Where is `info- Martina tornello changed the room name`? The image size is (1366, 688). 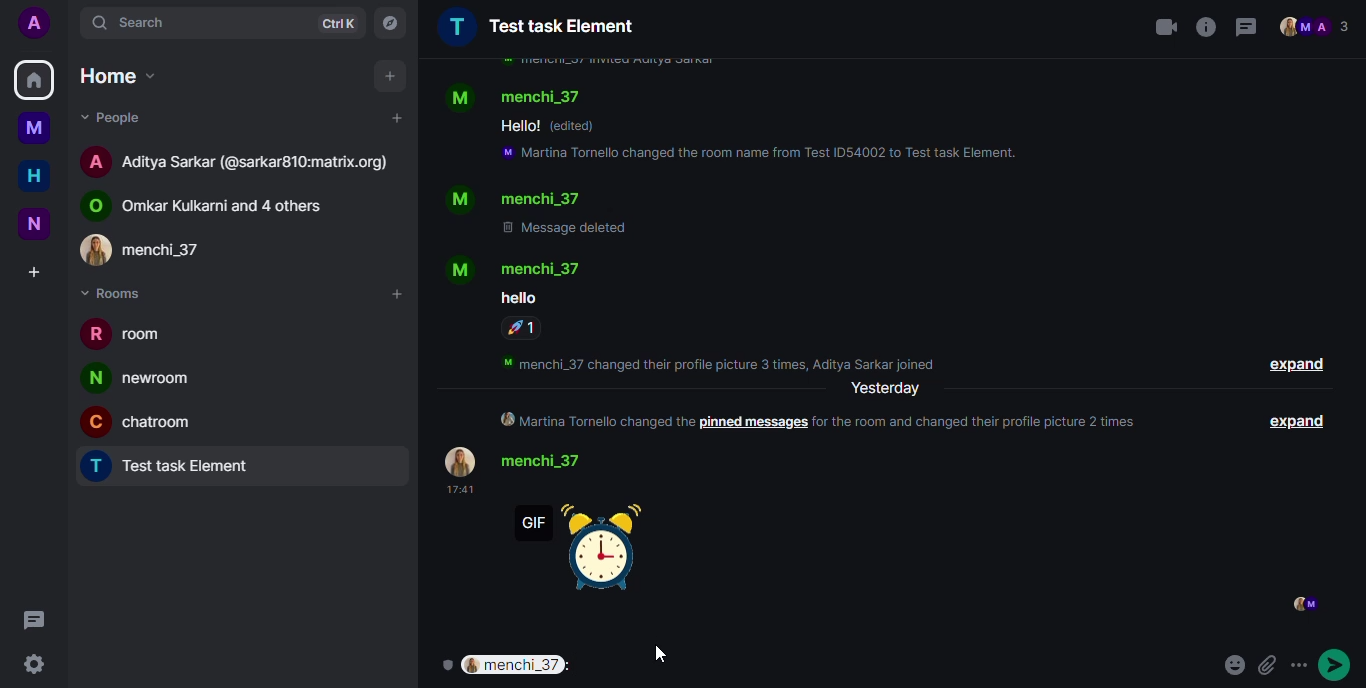 info- Martina tornello changed the room name is located at coordinates (762, 155).